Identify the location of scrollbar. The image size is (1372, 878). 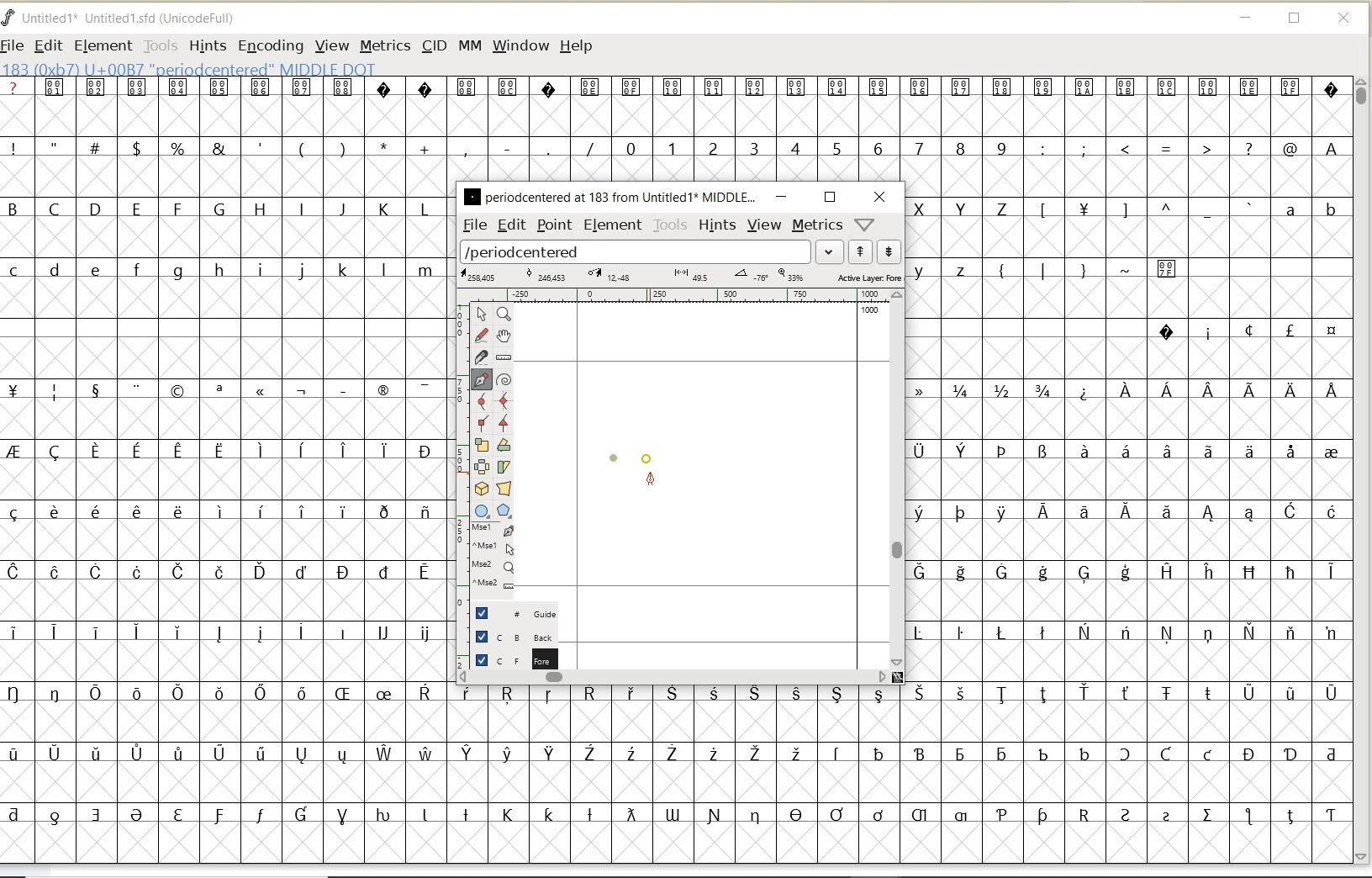
(673, 677).